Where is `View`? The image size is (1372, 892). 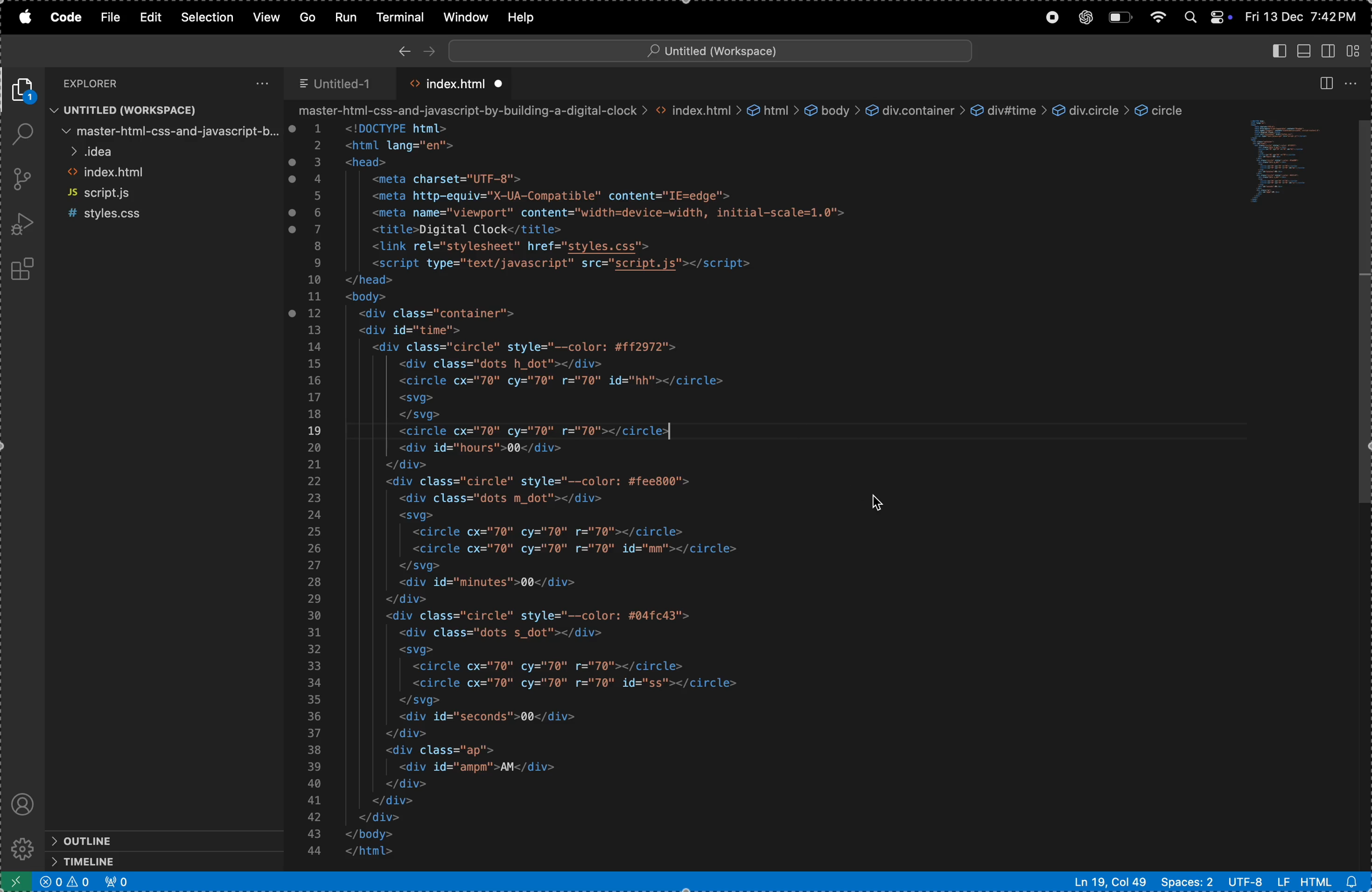
View is located at coordinates (268, 17).